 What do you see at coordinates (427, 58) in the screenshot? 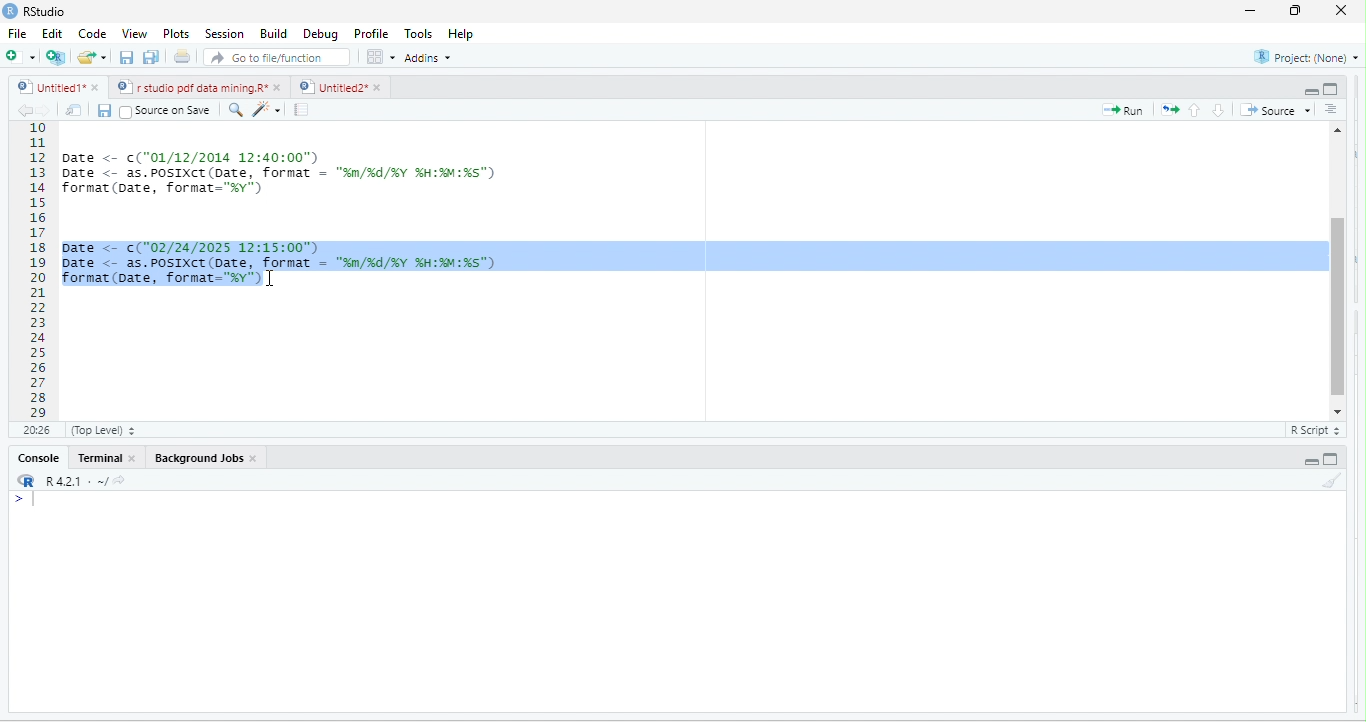
I see `addins` at bounding box center [427, 58].